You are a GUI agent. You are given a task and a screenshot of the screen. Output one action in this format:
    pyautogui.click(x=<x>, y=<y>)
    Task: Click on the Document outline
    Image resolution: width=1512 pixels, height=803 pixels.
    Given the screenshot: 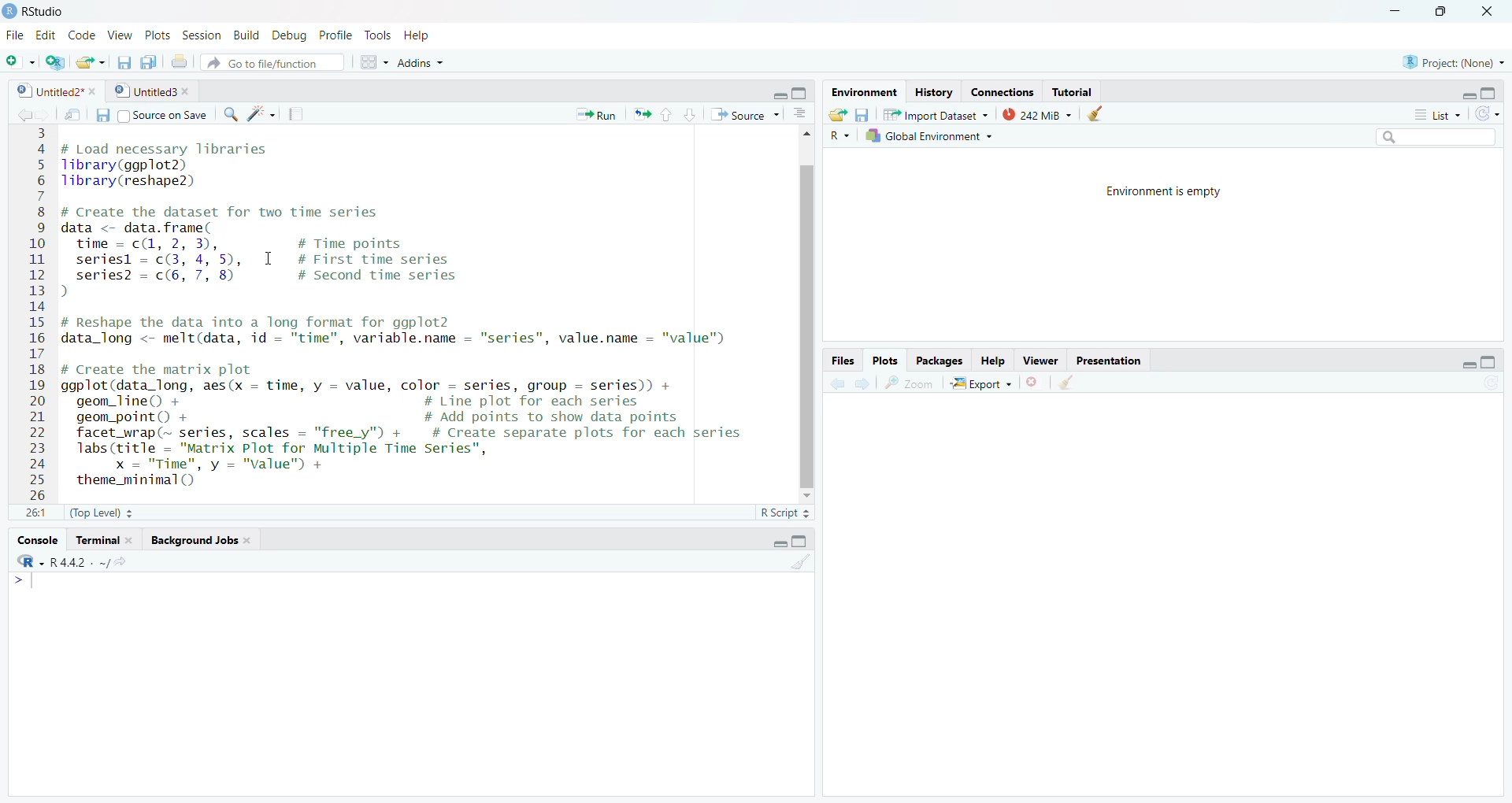 What is the action you would take?
    pyautogui.click(x=800, y=116)
    